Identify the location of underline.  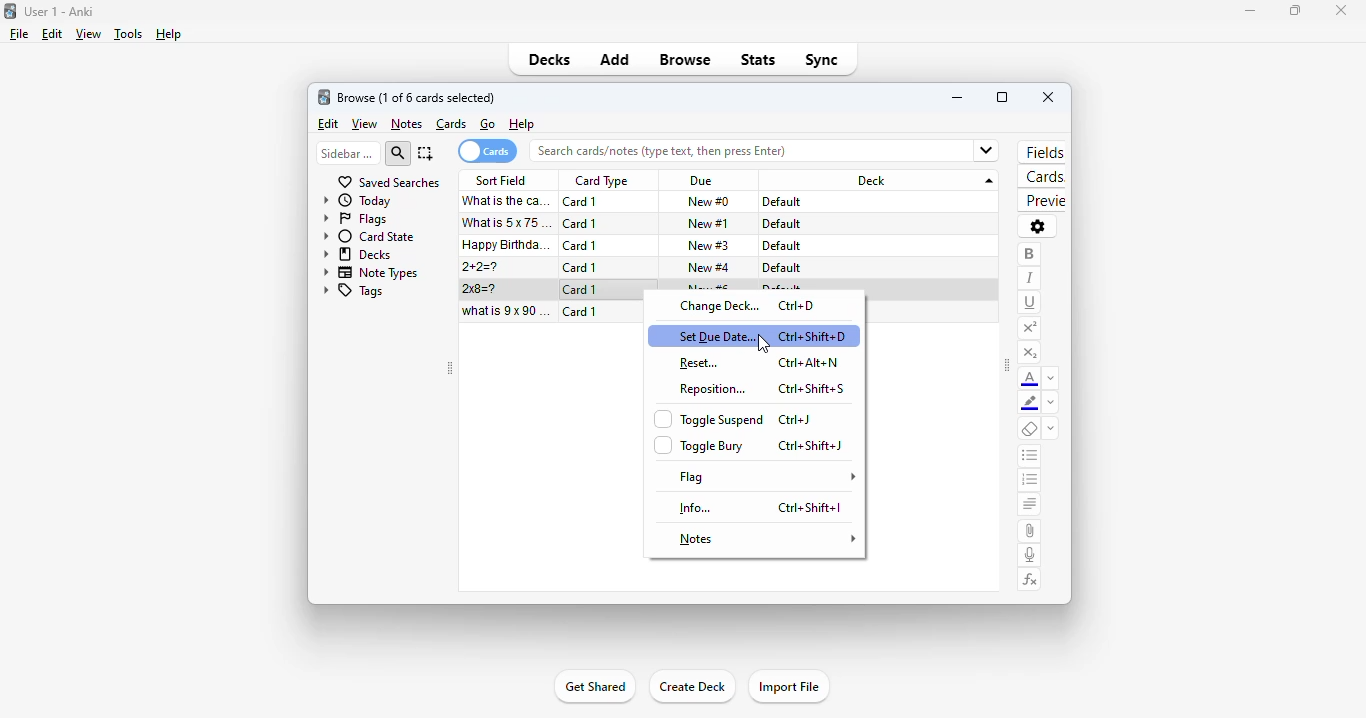
(1030, 302).